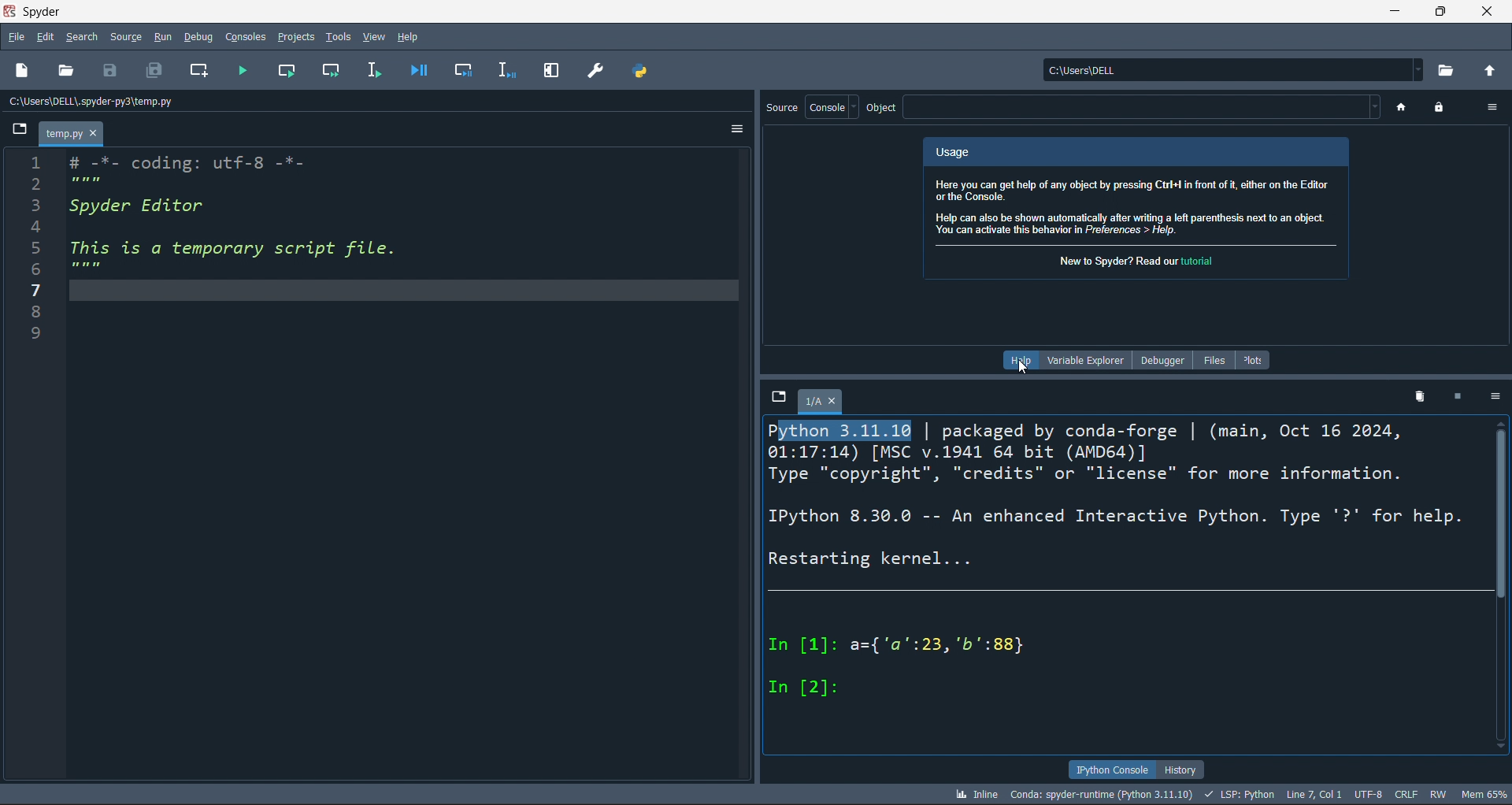 The height and width of the screenshot is (805, 1512). I want to click on source, so click(784, 106).